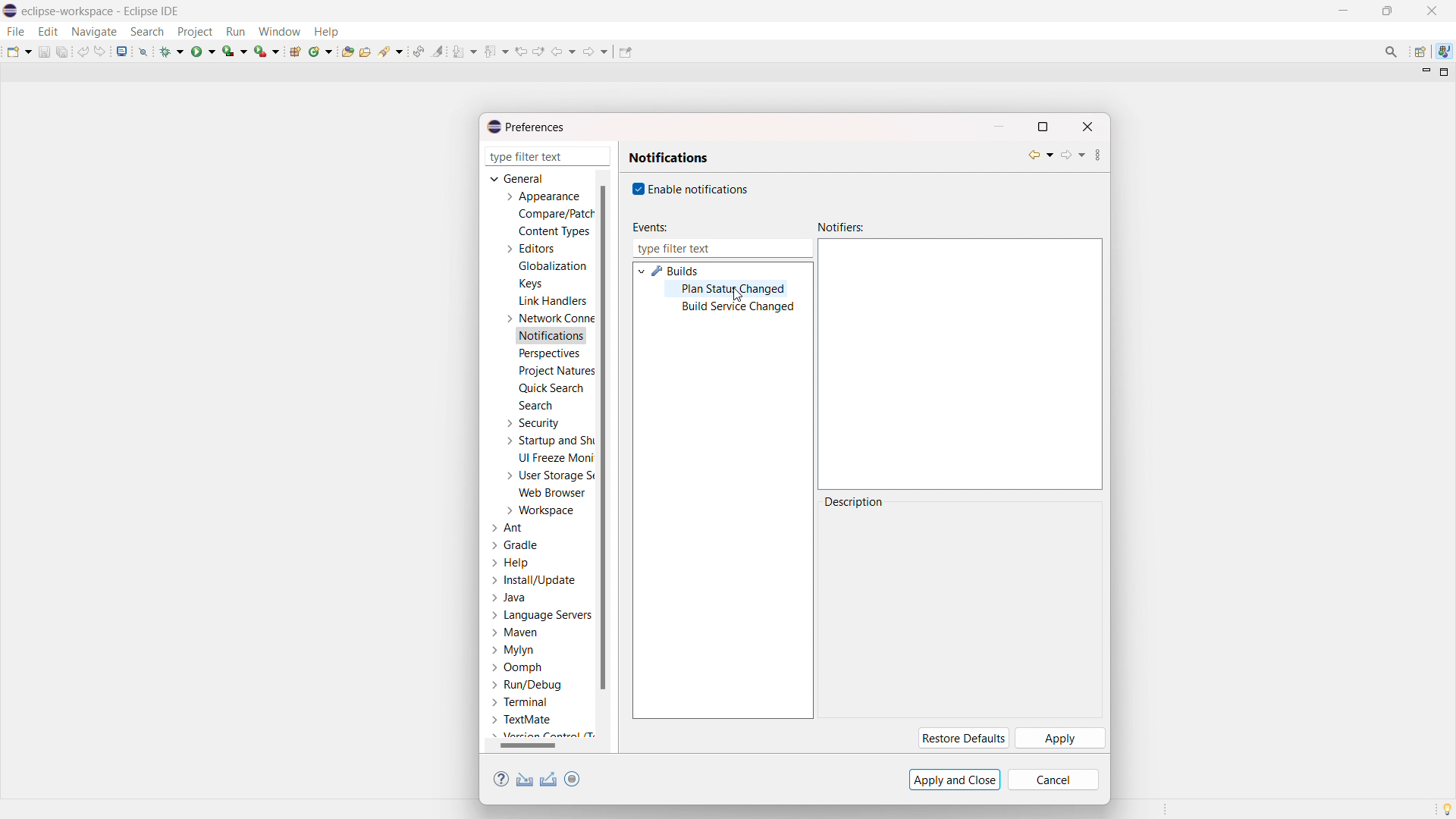  What do you see at coordinates (501, 780) in the screenshot?
I see `help` at bounding box center [501, 780].